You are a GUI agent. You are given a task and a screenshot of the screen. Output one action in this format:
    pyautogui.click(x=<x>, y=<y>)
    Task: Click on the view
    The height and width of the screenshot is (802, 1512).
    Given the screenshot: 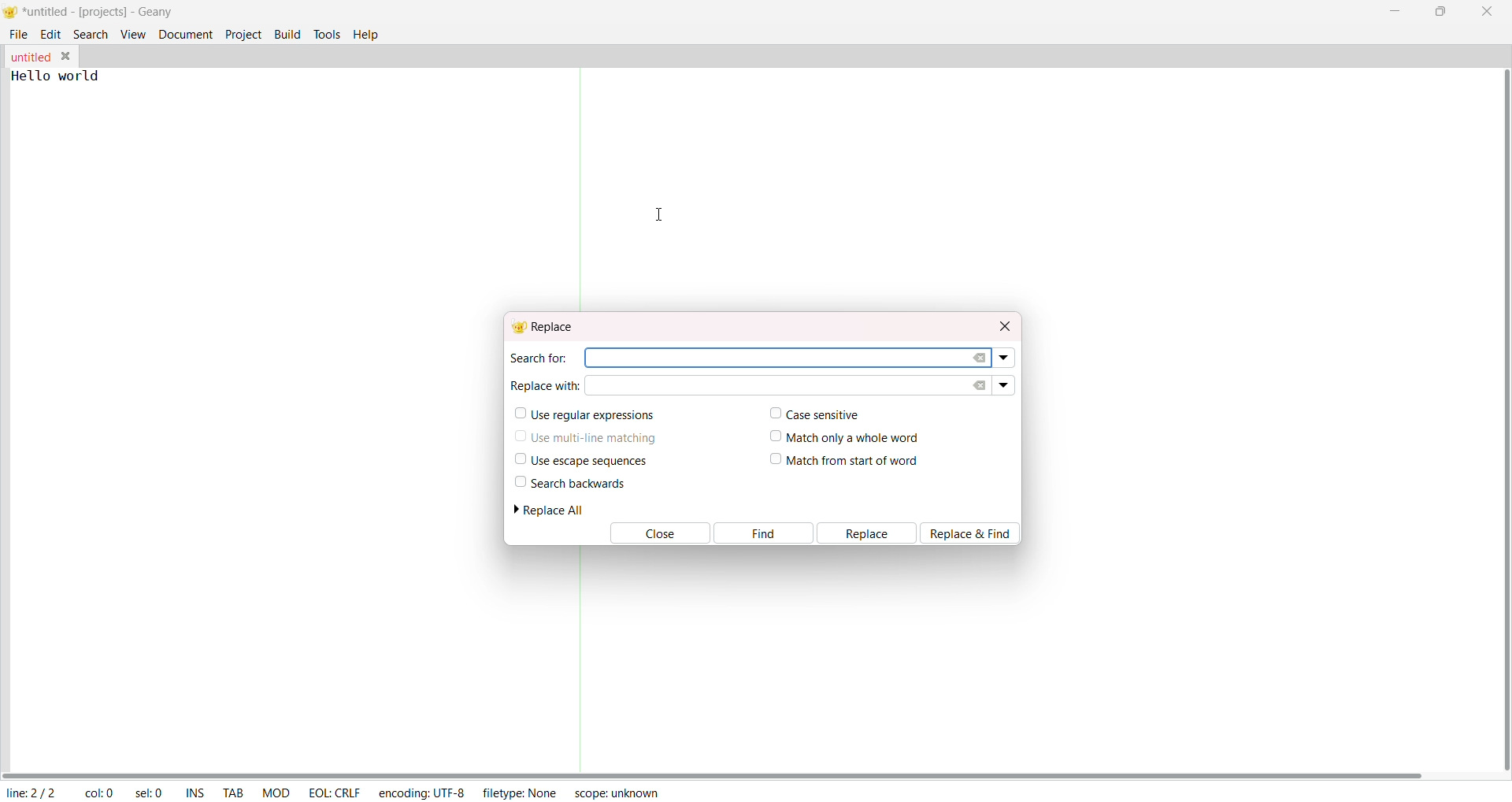 What is the action you would take?
    pyautogui.click(x=132, y=34)
    